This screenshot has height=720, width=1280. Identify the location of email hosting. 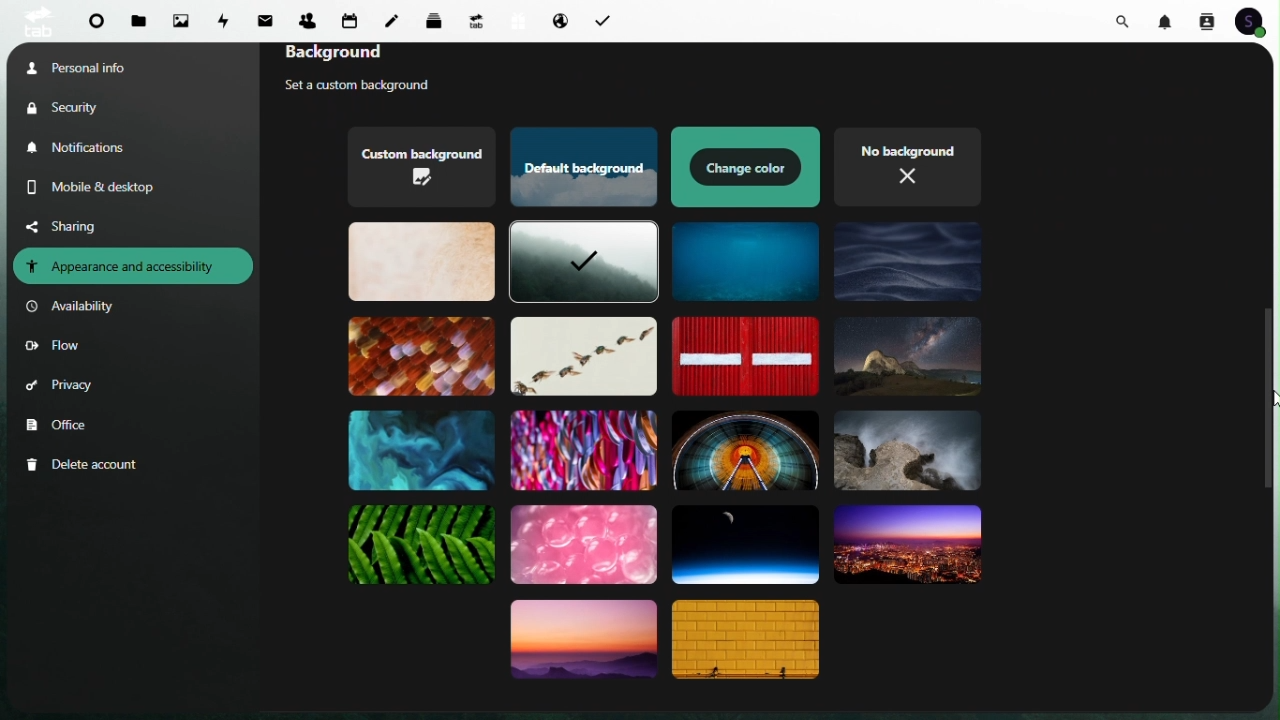
(555, 20).